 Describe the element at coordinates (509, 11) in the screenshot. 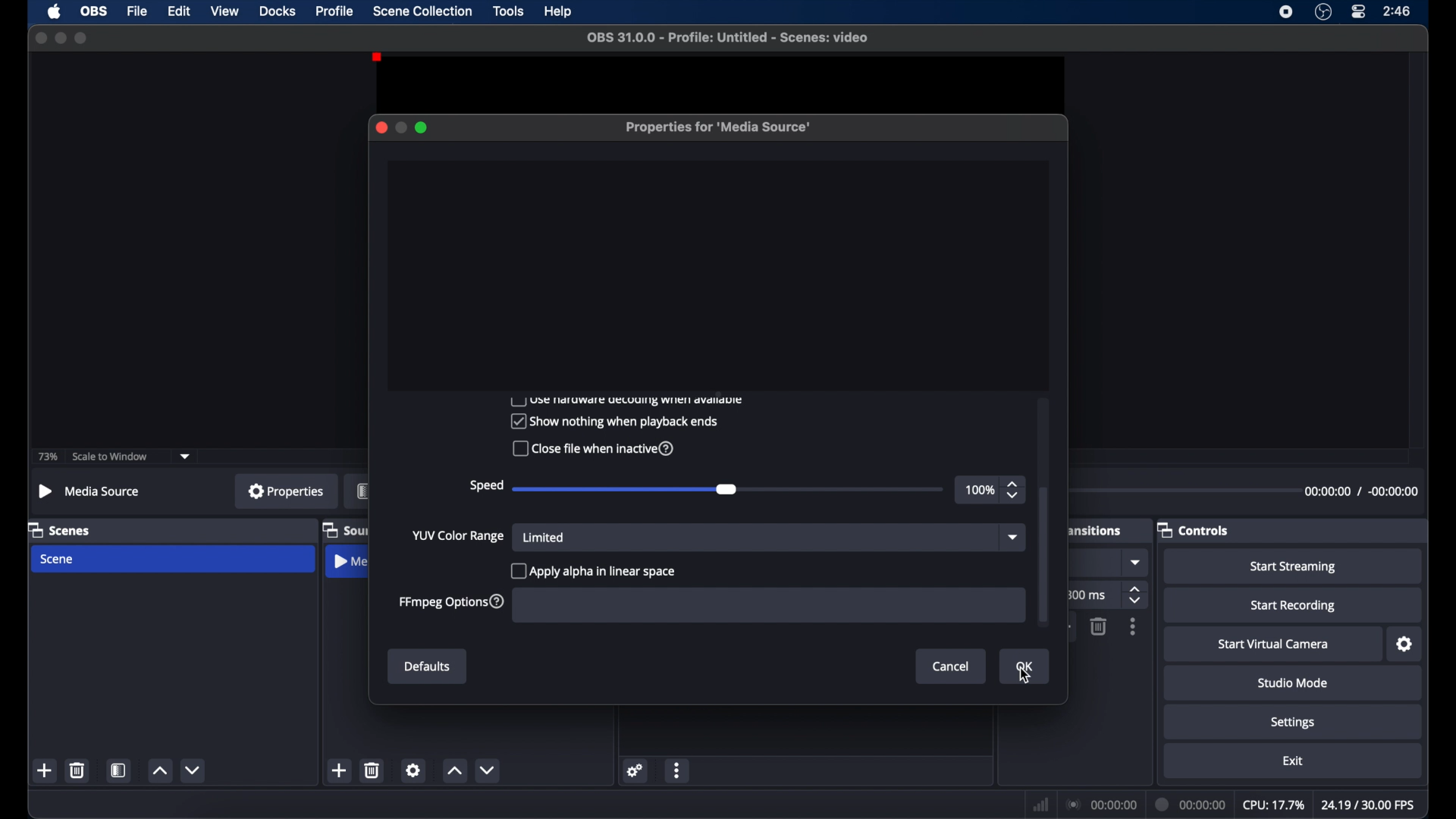

I see `tools` at that location.